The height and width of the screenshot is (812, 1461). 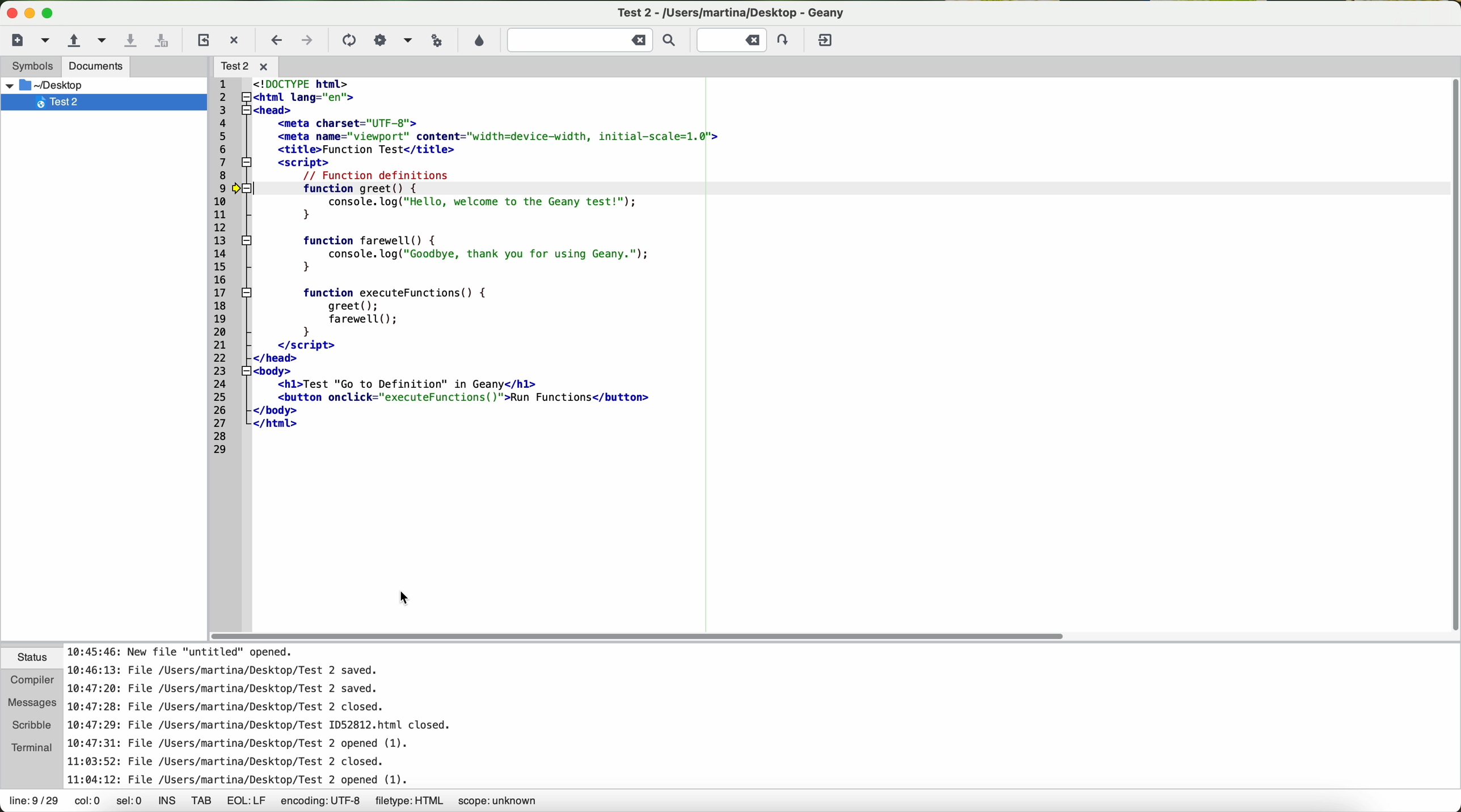 I want to click on scribble, so click(x=30, y=725).